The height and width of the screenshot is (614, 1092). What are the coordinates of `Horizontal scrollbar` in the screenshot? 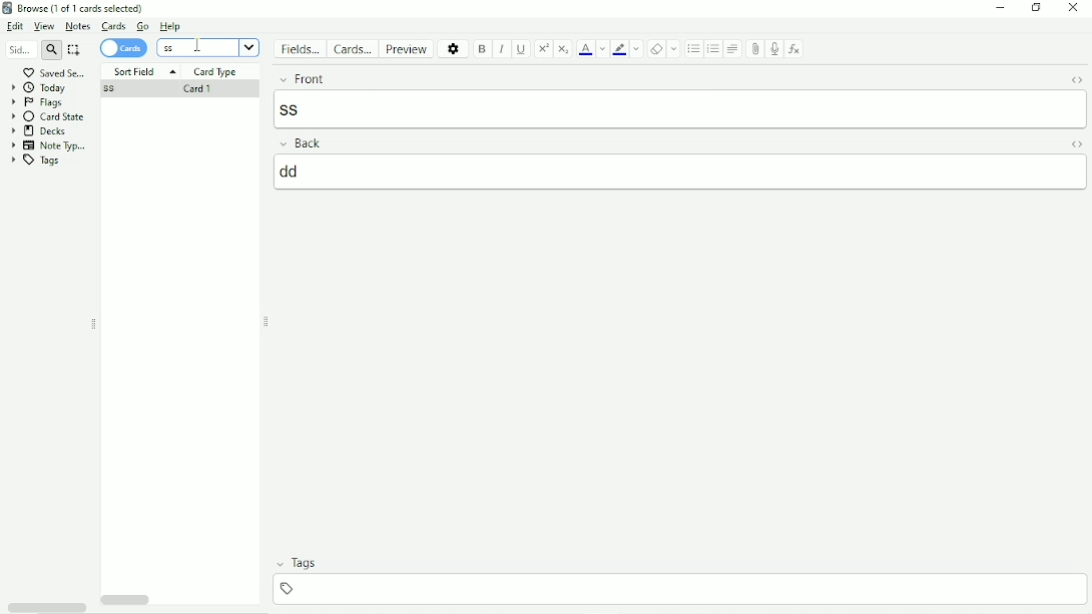 It's located at (128, 598).